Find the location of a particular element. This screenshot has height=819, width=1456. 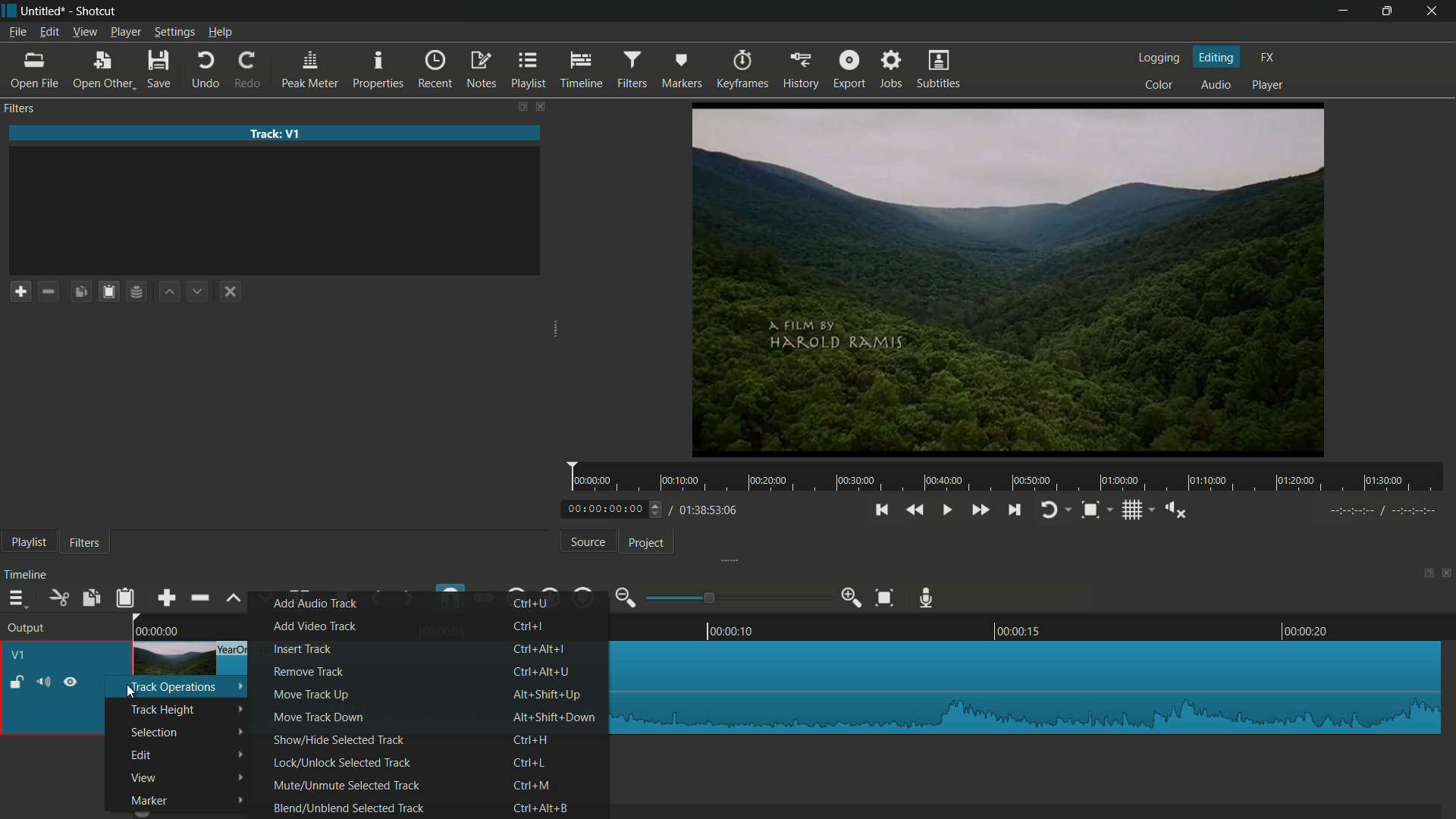

project is located at coordinates (641, 541).